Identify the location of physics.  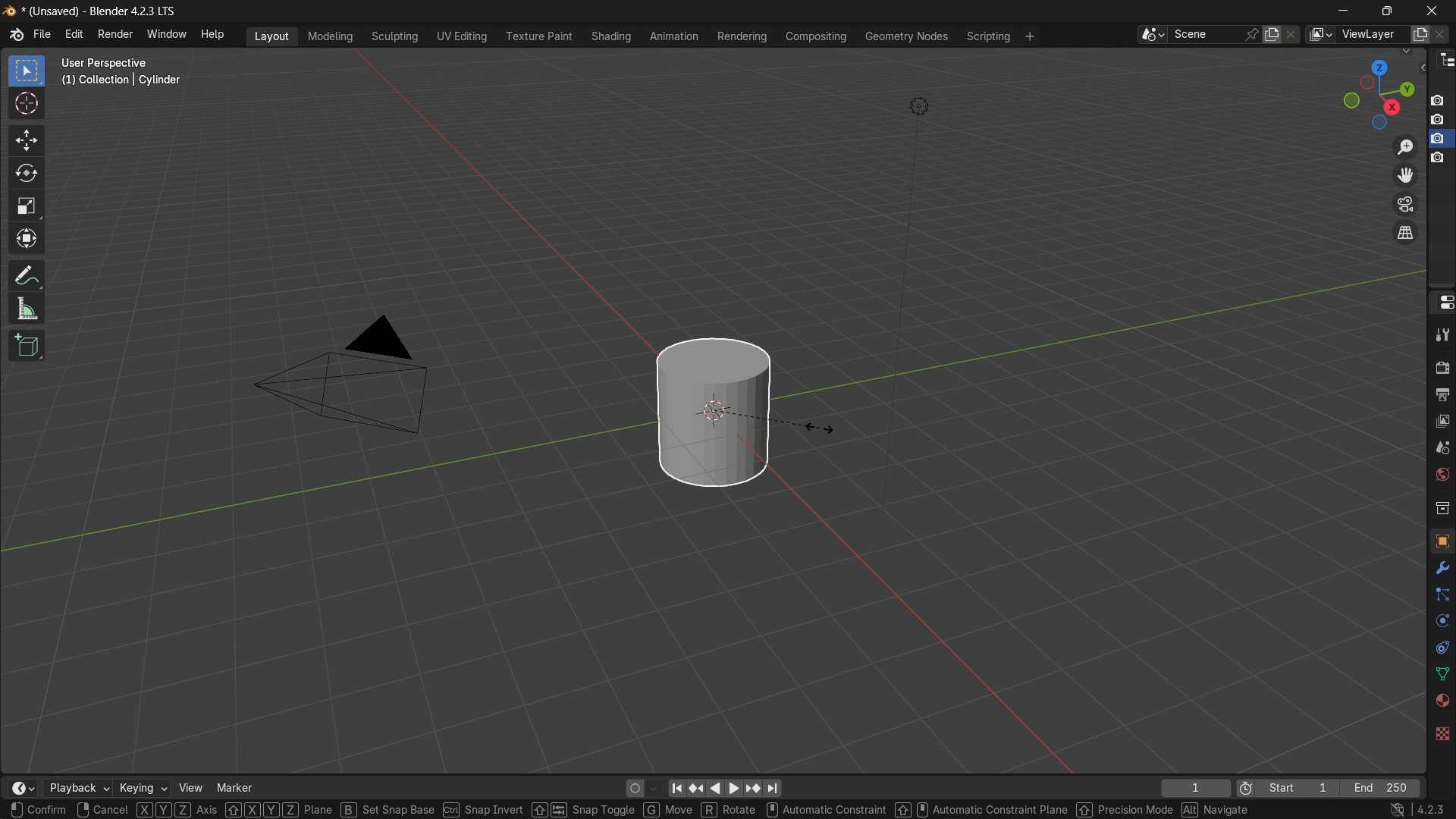
(1441, 623).